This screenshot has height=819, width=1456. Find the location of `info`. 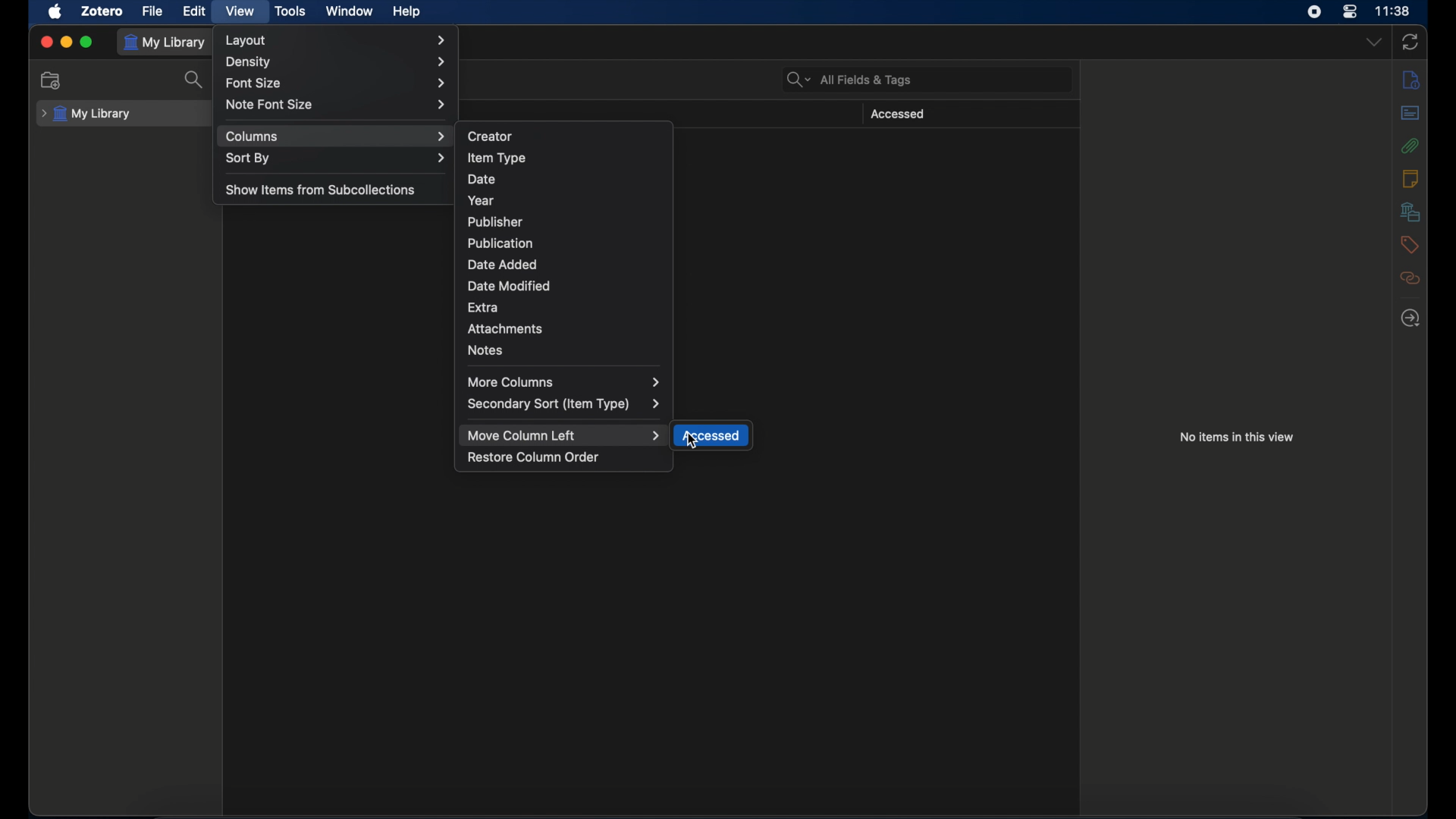

info is located at coordinates (1410, 80).